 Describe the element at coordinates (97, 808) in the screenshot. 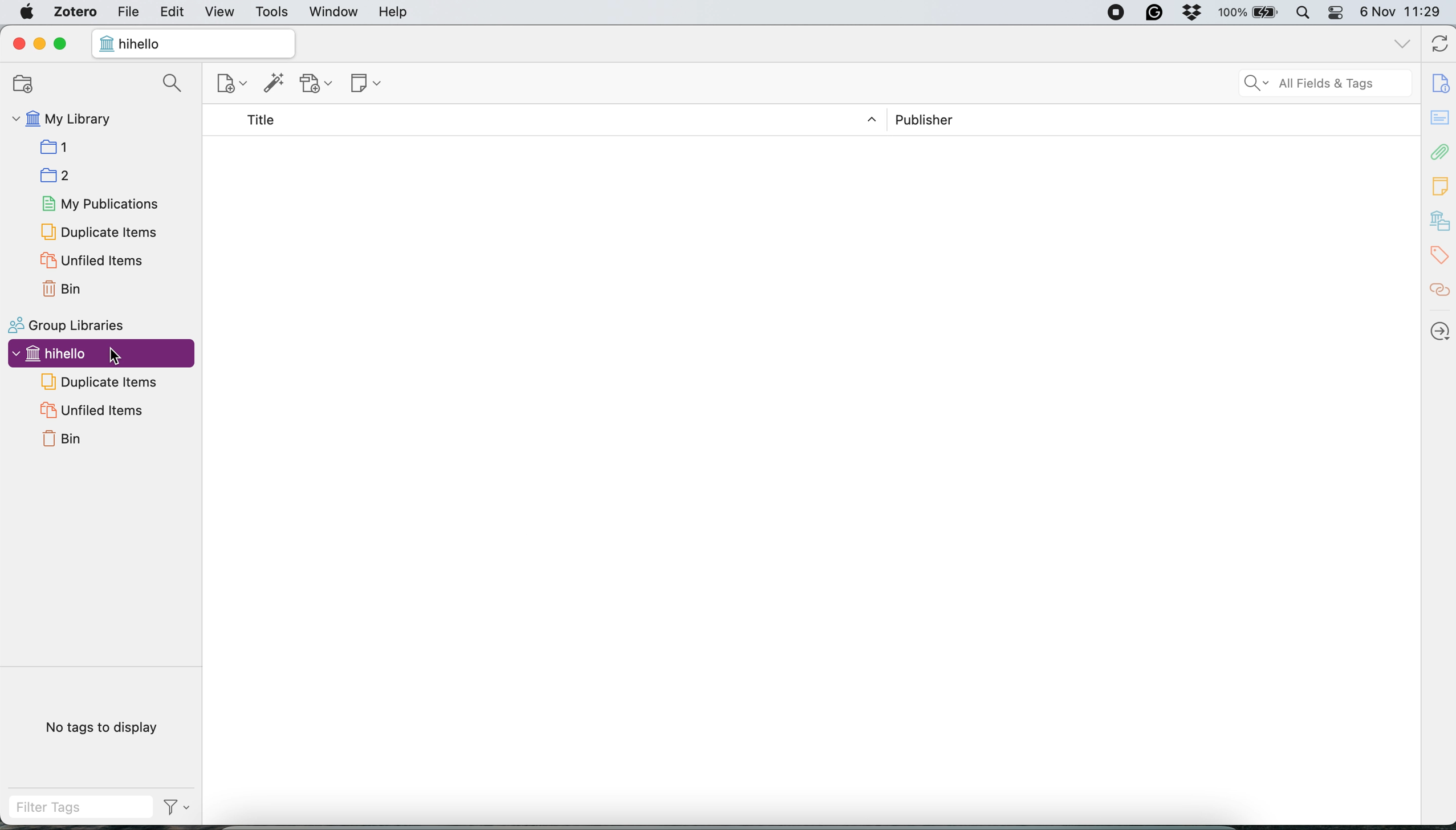

I see `filter tags` at that location.